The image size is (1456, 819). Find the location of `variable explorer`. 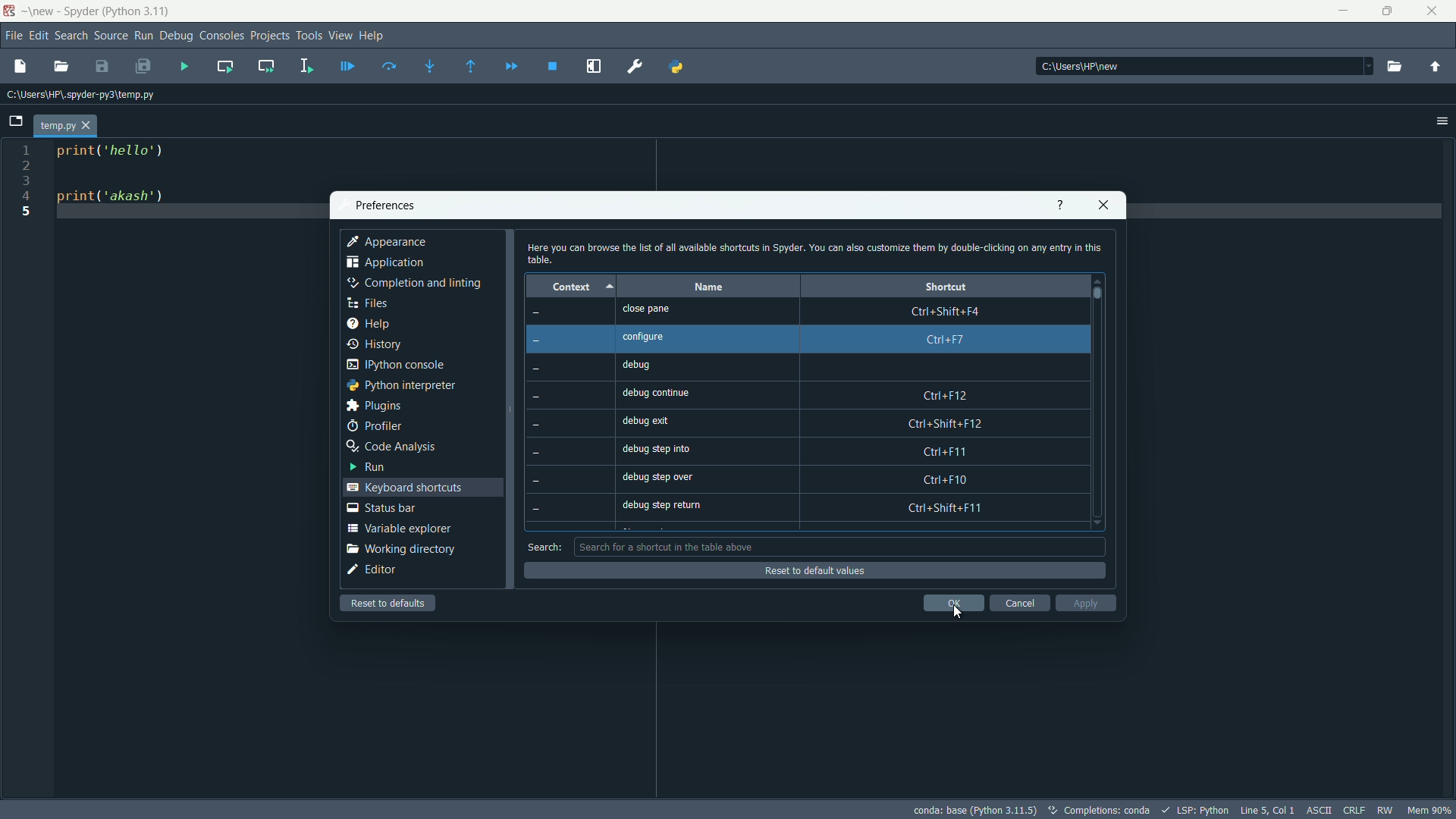

variable explorer is located at coordinates (397, 528).